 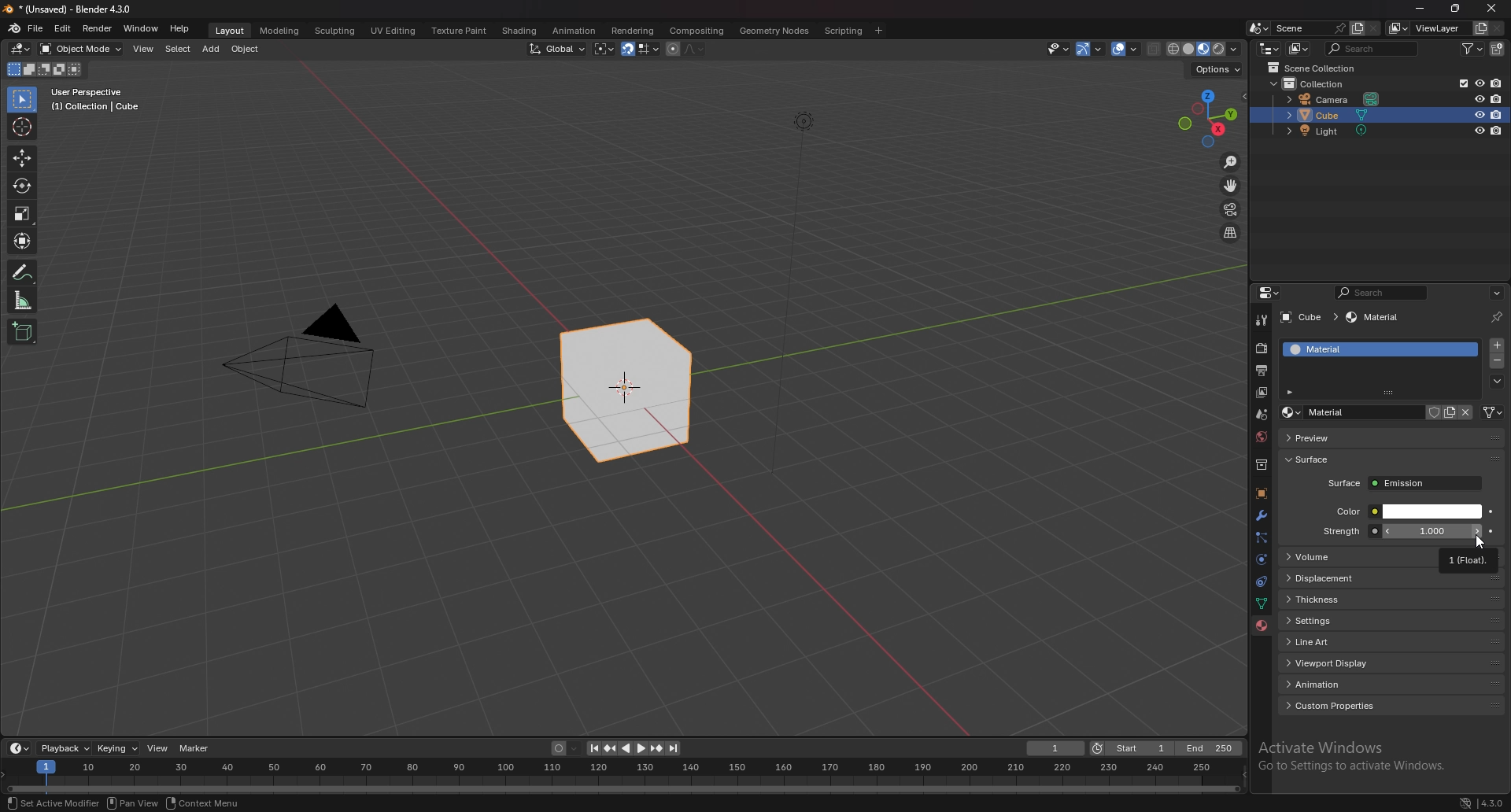 I want to click on add viewlayer, so click(x=1481, y=28).